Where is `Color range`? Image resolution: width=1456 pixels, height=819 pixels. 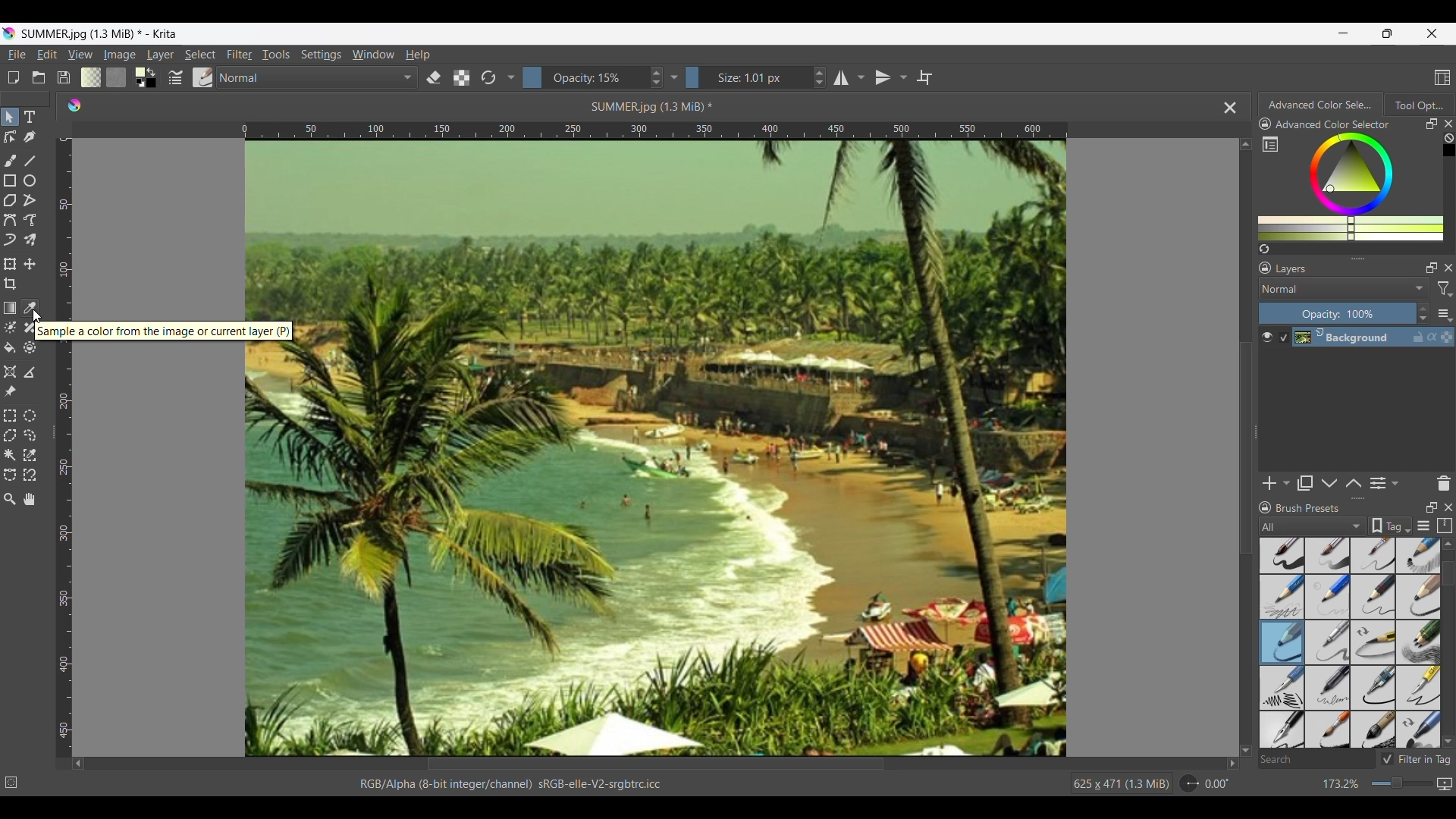
Color range is located at coordinates (1360, 187).